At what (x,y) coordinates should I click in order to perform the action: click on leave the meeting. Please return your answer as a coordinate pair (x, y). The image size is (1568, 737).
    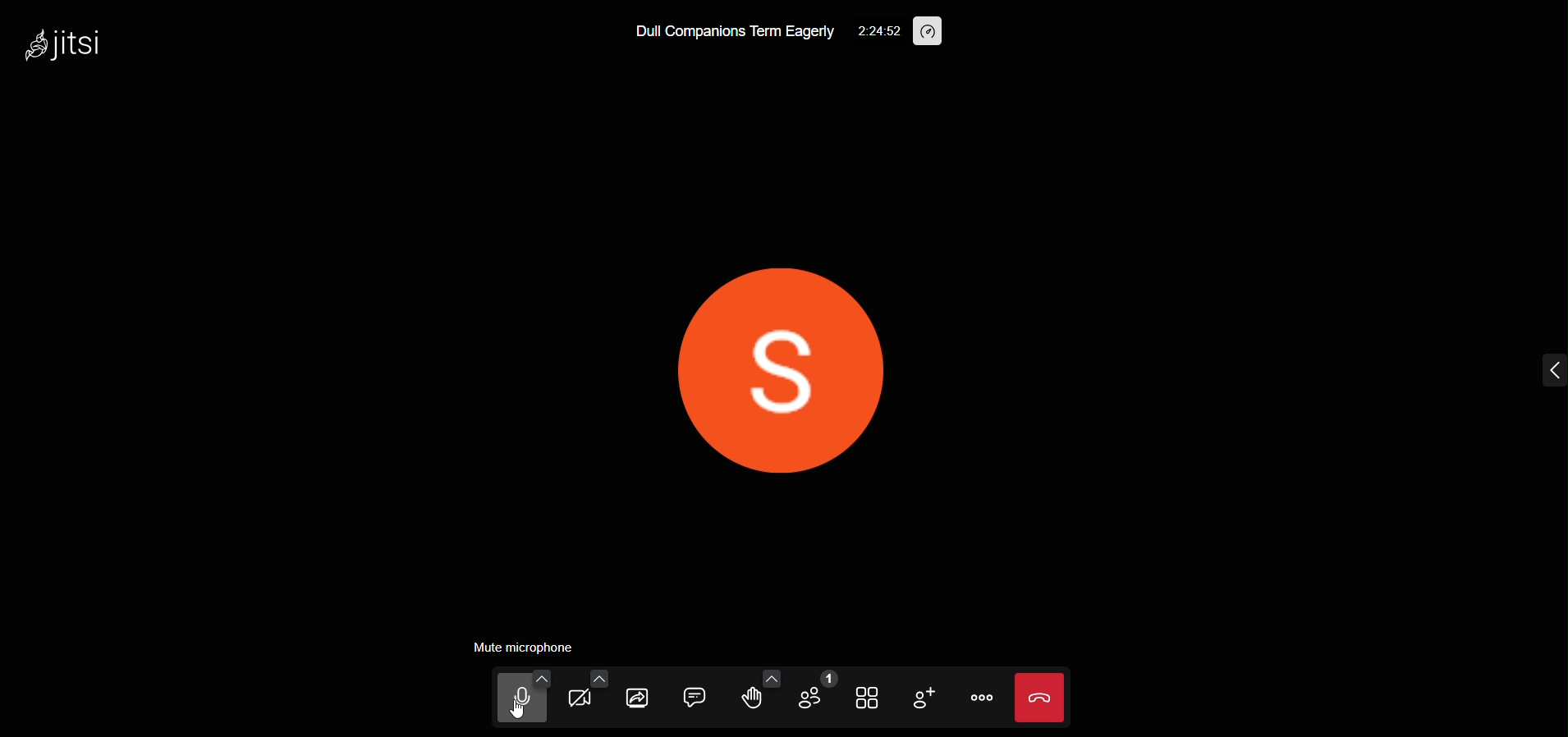
    Looking at the image, I should click on (1041, 697).